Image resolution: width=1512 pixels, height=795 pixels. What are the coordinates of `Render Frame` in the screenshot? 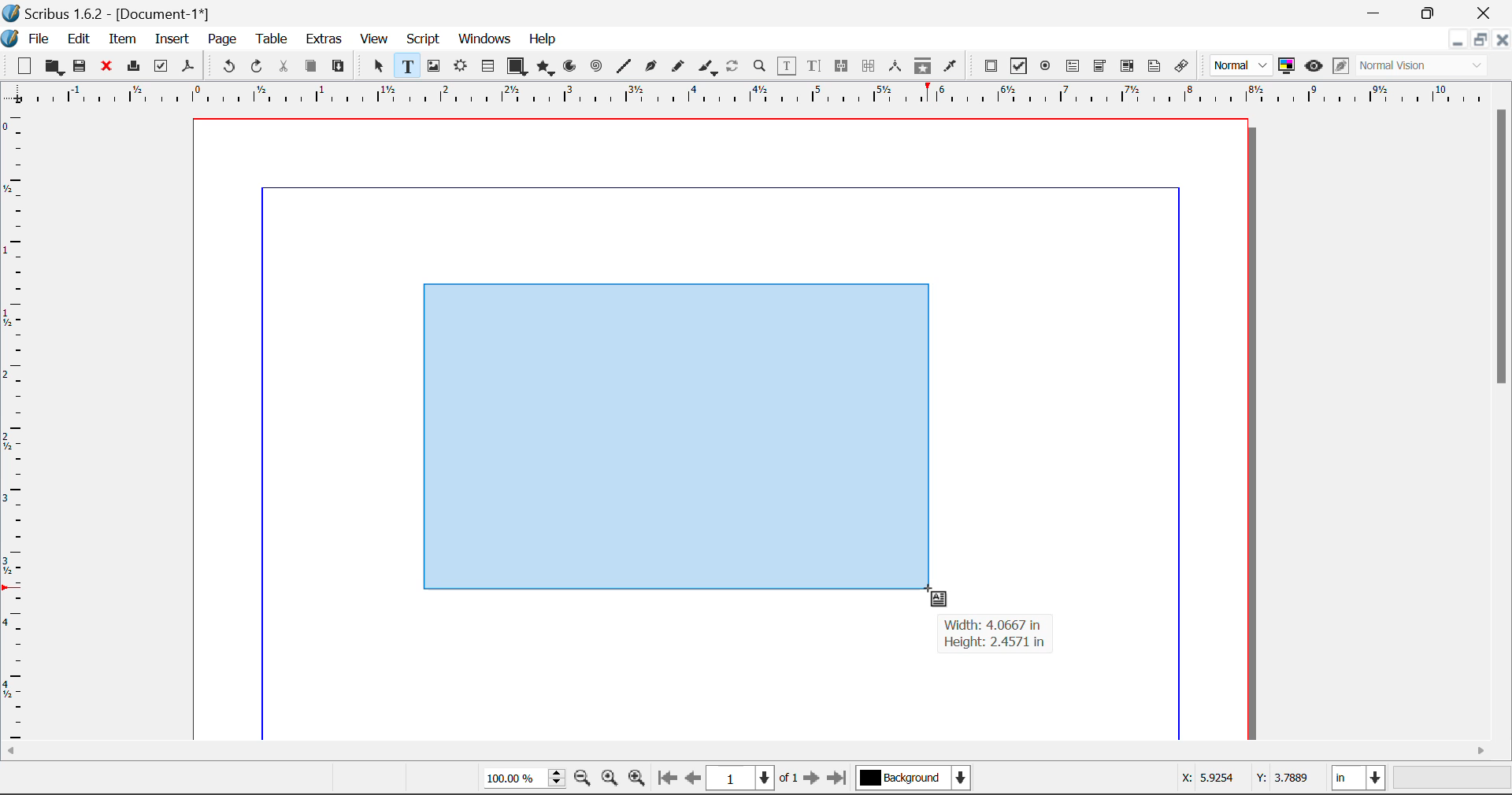 It's located at (460, 67).